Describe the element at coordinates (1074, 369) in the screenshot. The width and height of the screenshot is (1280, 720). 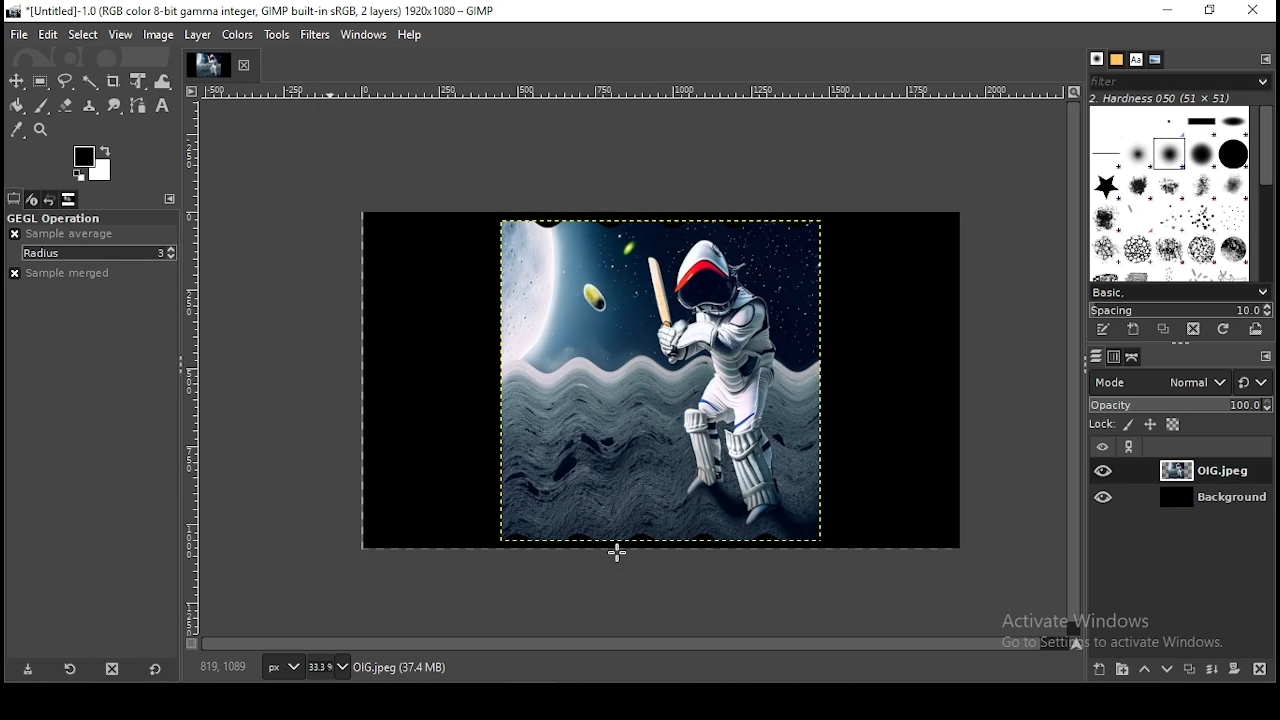
I see `scroll bar` at that location.